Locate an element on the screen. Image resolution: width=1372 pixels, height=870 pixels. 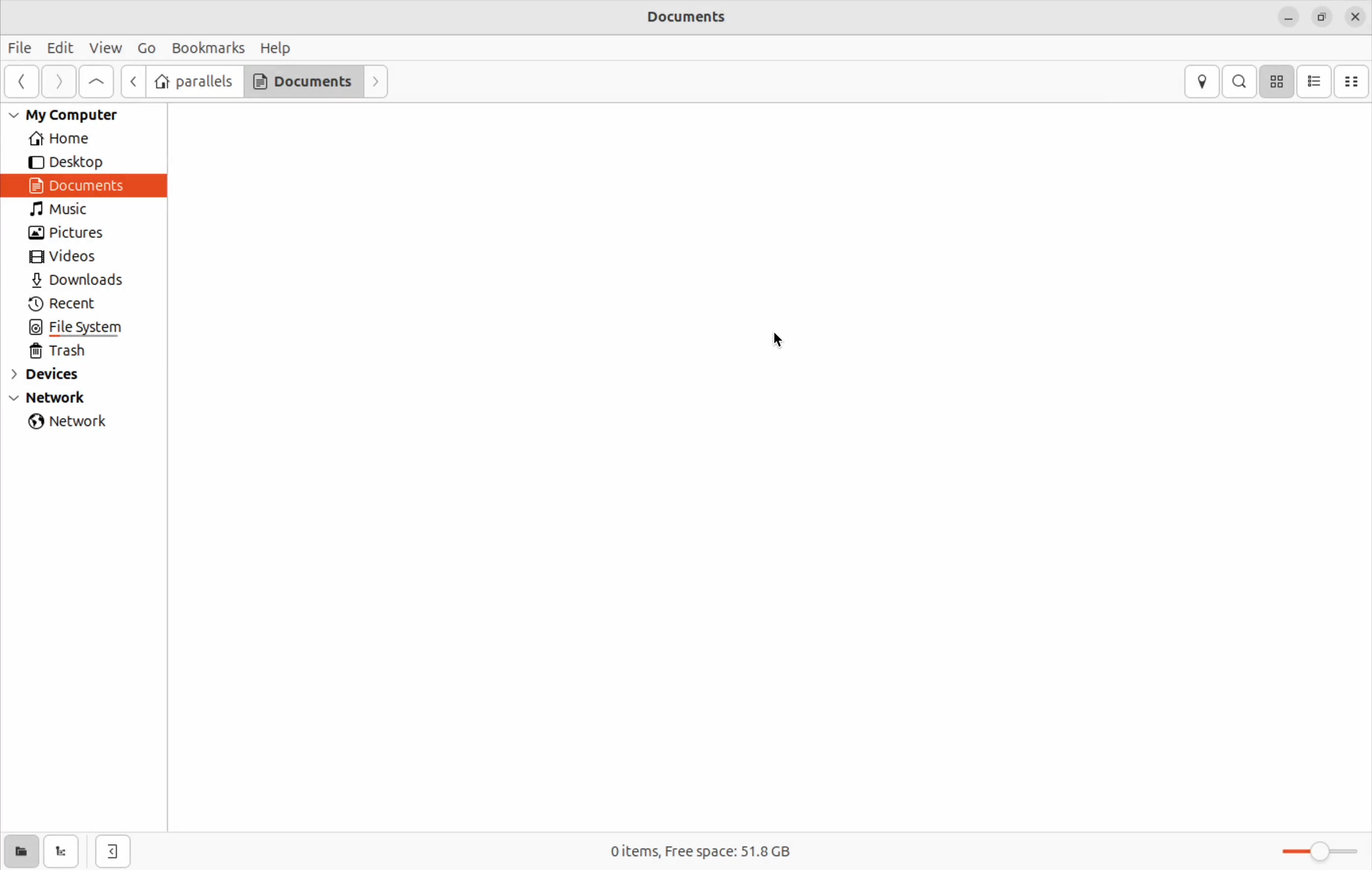
Documents is located at coordinates (79, 184).